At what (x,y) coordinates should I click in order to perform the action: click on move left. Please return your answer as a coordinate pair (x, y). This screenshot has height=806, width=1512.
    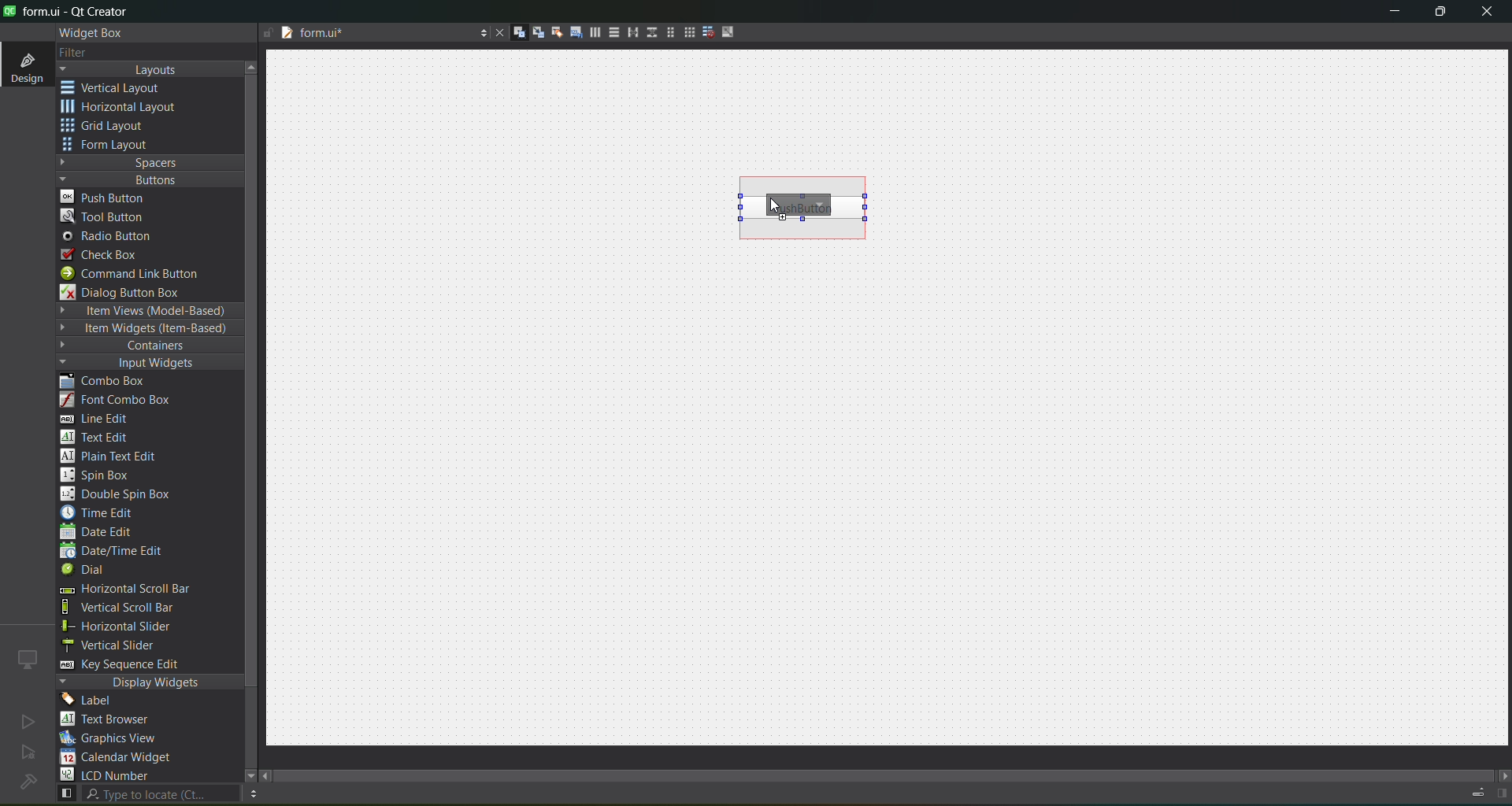
    Looking at the image, I should click on (268, 777).